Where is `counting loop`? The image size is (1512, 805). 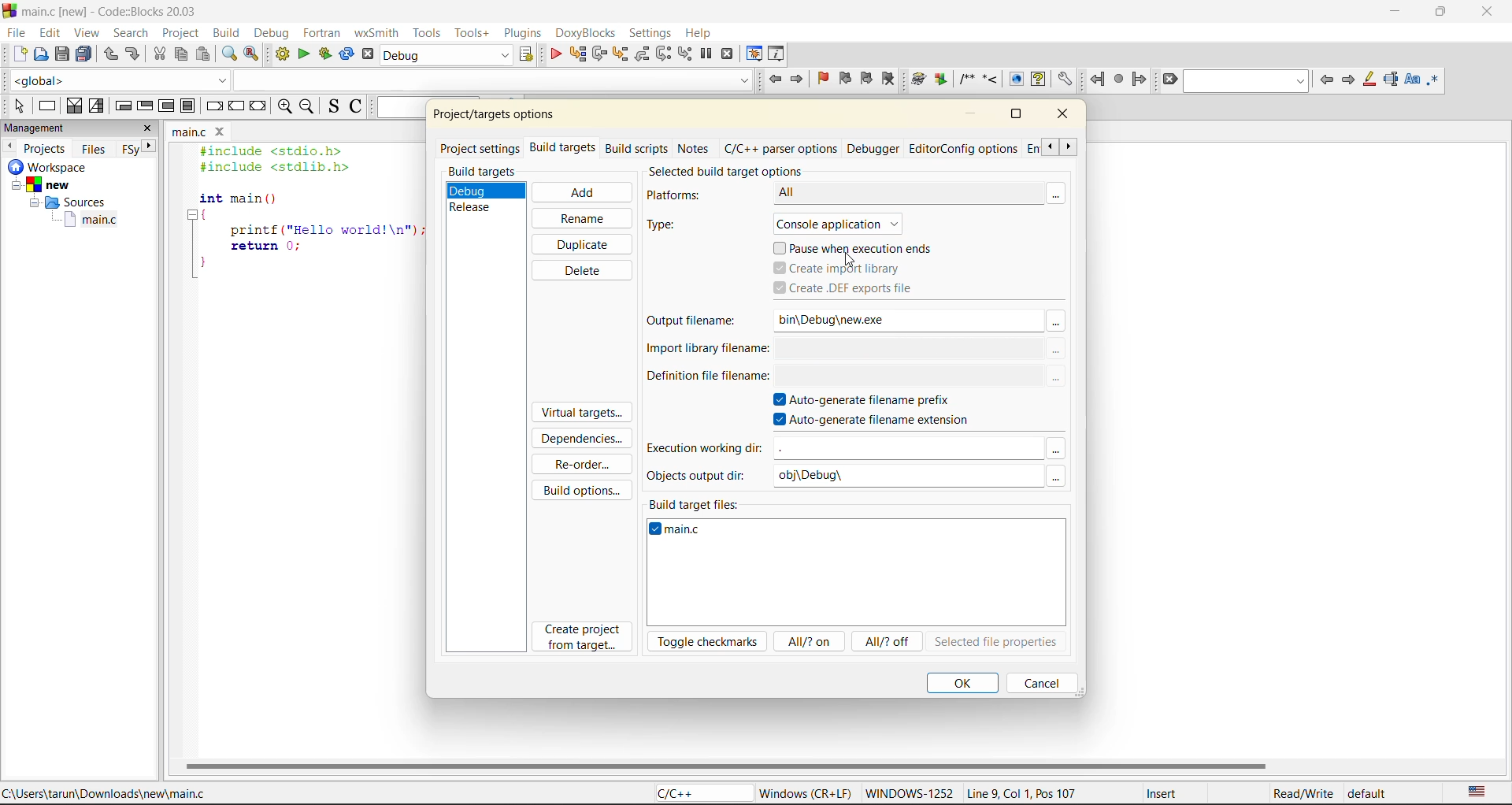
counting loop is located at coordinates (166, 107).